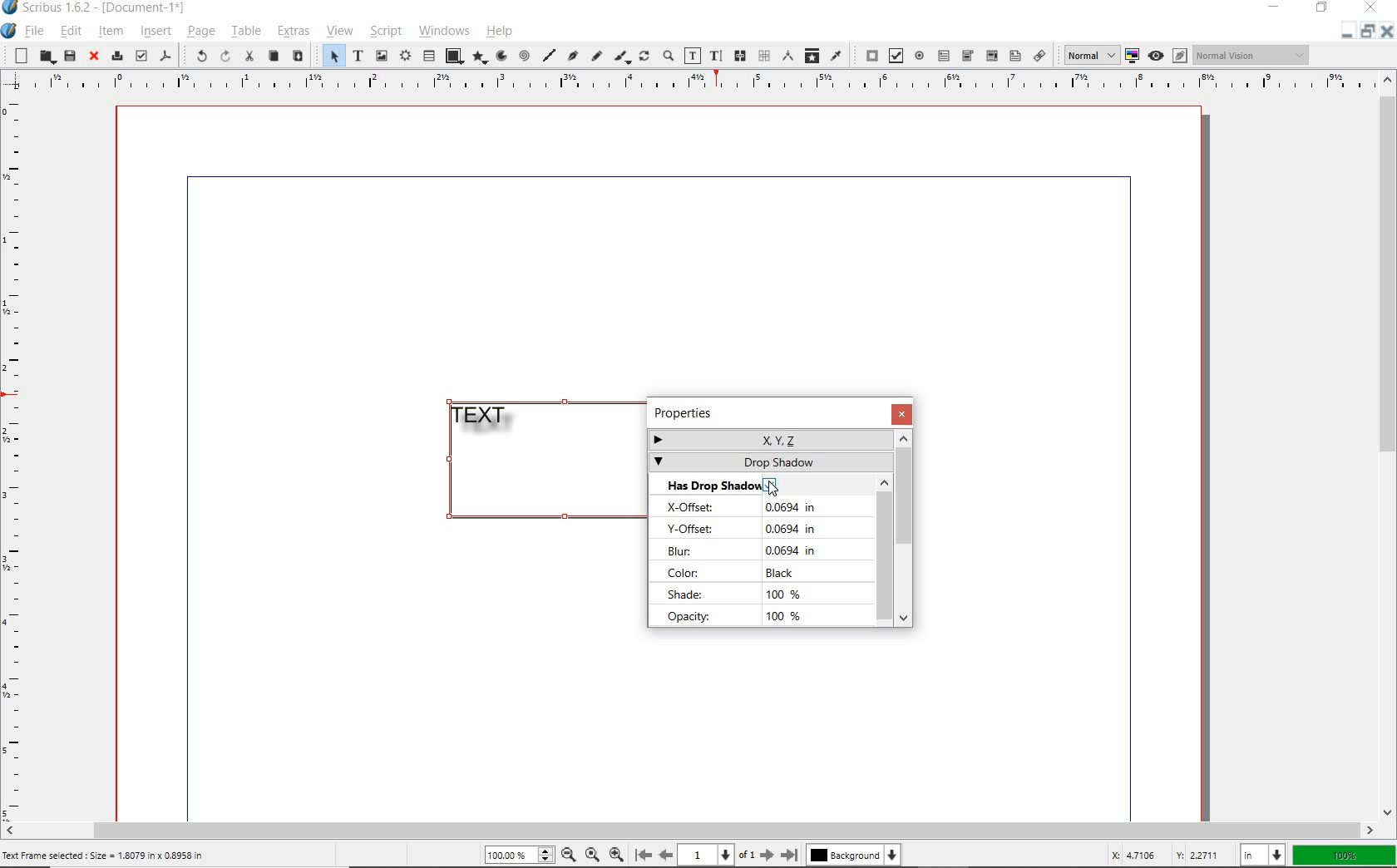 Image resolution: width=1397 pixels, height=868 pixels. What do you see at coordinates (616, 856) in the screenshot?
I see `Zoom In` at bounding box center [616, 856].